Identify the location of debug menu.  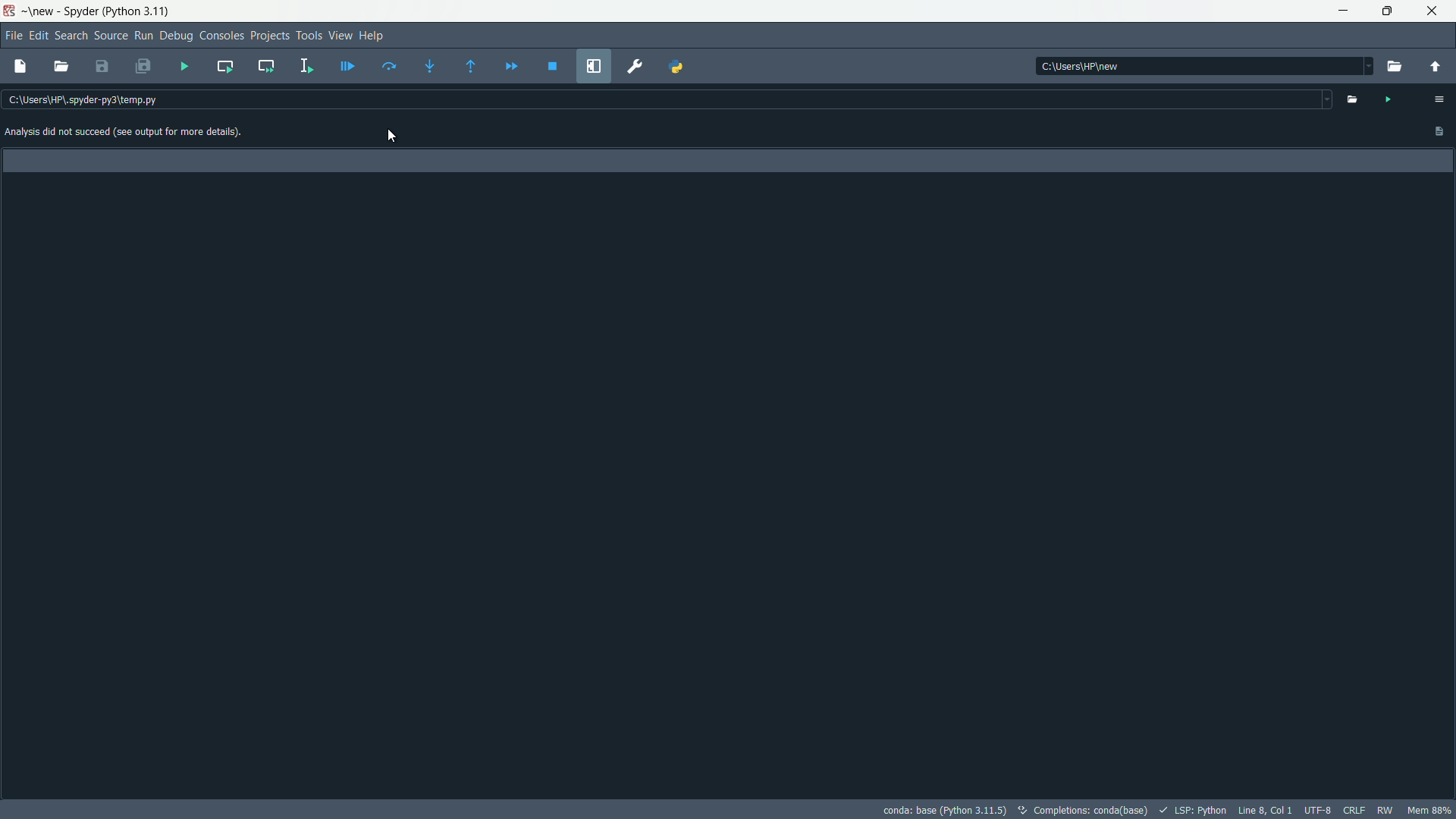
(176, 35).